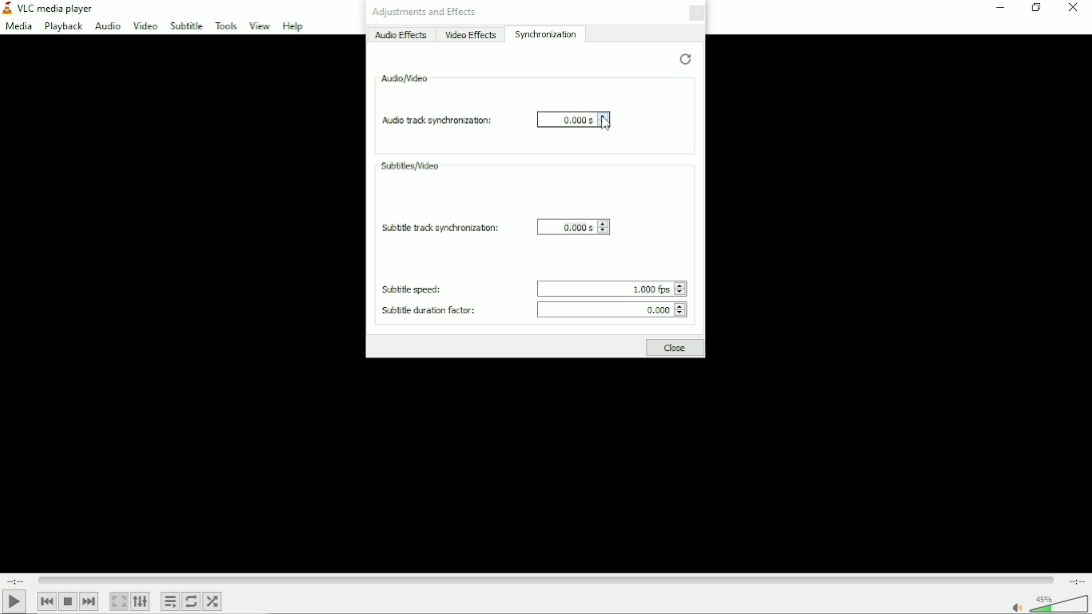 The width and height of the screenshot is (1092, 614). What do you see at coordinates (573, 224) in the screenshot?
I see `0.000 s` at bounding box center [573, 224].